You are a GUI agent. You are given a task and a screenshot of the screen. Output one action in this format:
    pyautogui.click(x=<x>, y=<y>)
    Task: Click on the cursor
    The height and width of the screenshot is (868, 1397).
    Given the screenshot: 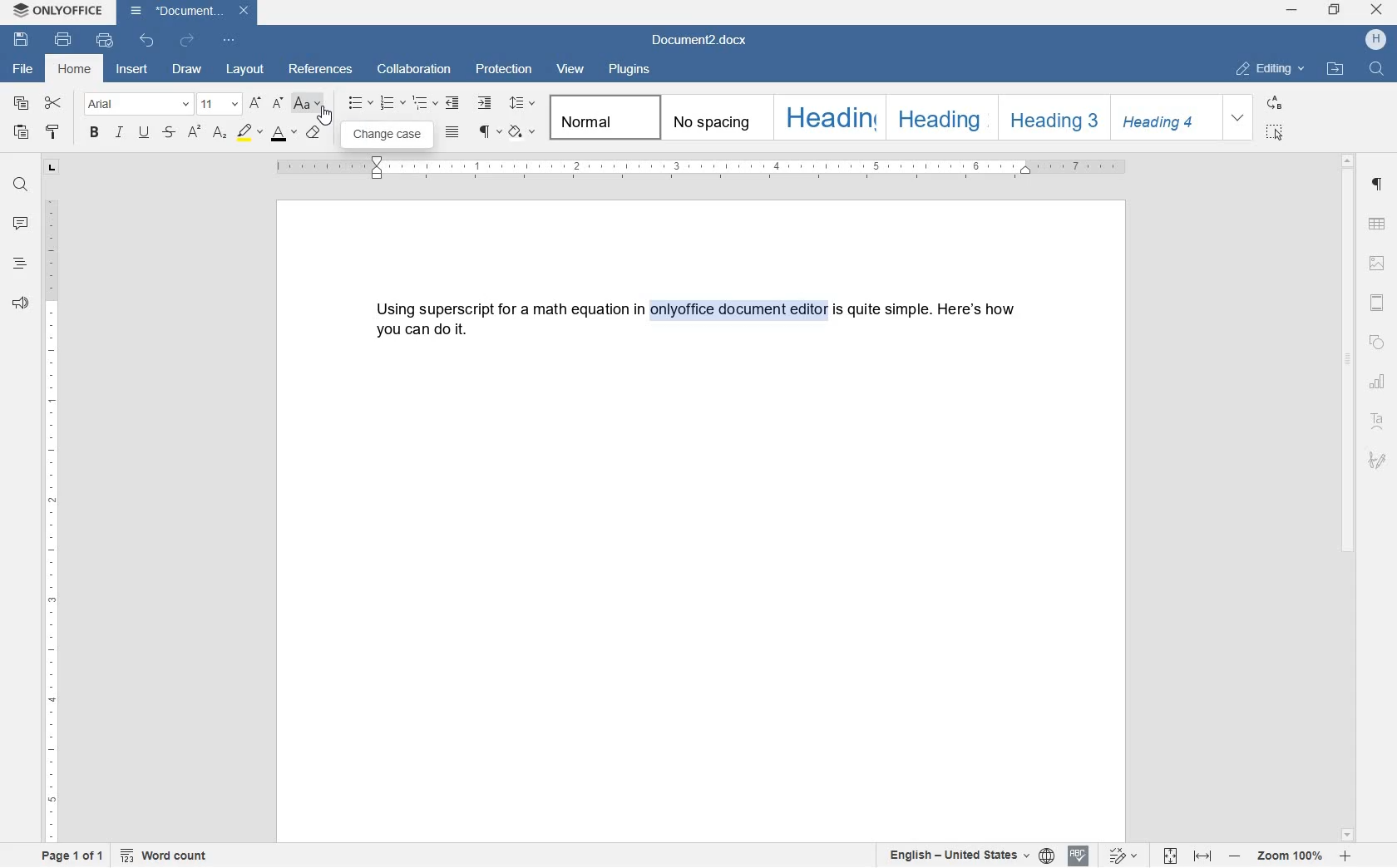 What is the action you would take?
    pyautogui.click(x=324, y=118)
    